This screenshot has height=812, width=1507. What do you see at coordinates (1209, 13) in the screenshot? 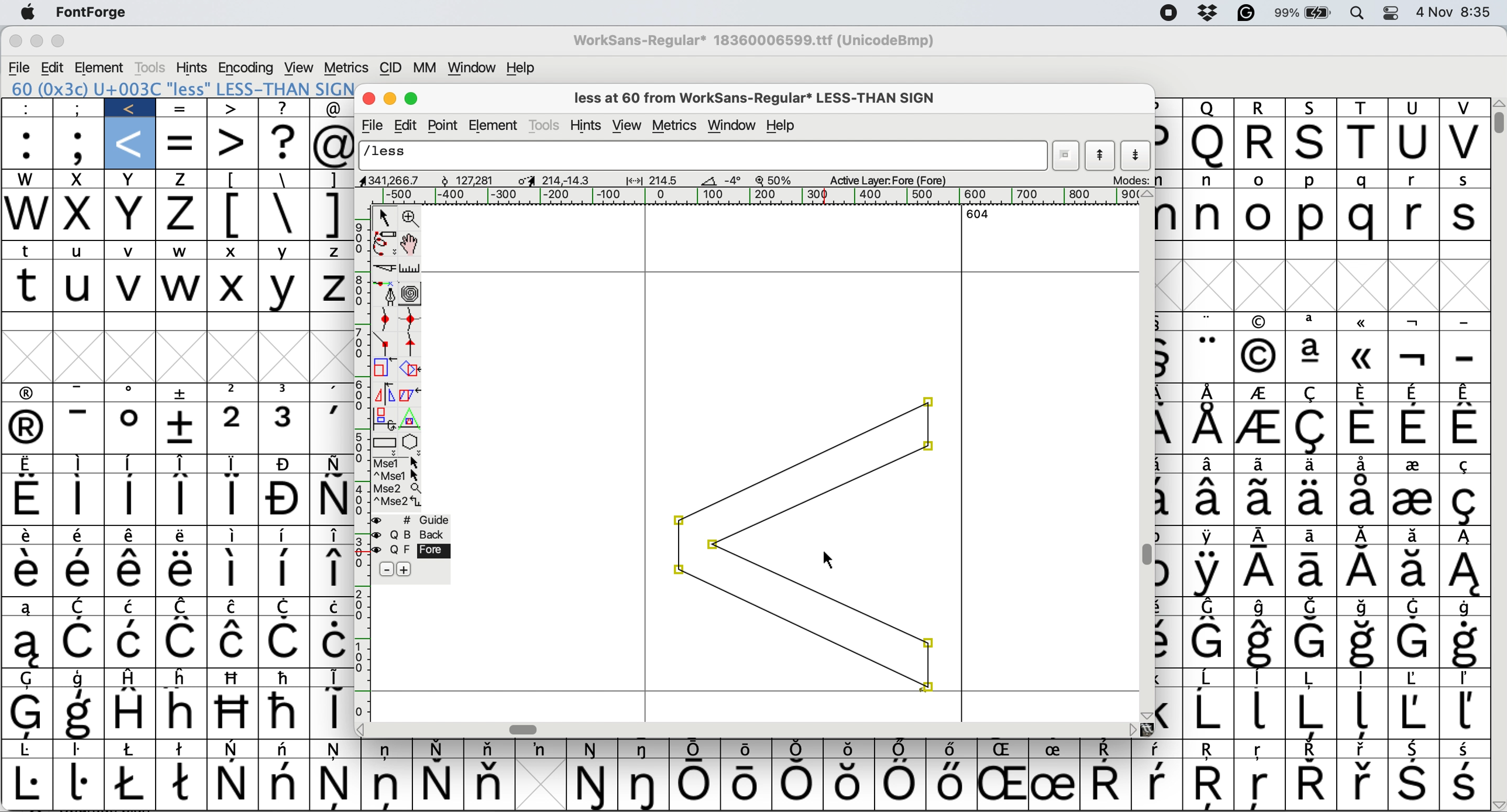
I see `dropbox` at bounding box center [1209, 13].